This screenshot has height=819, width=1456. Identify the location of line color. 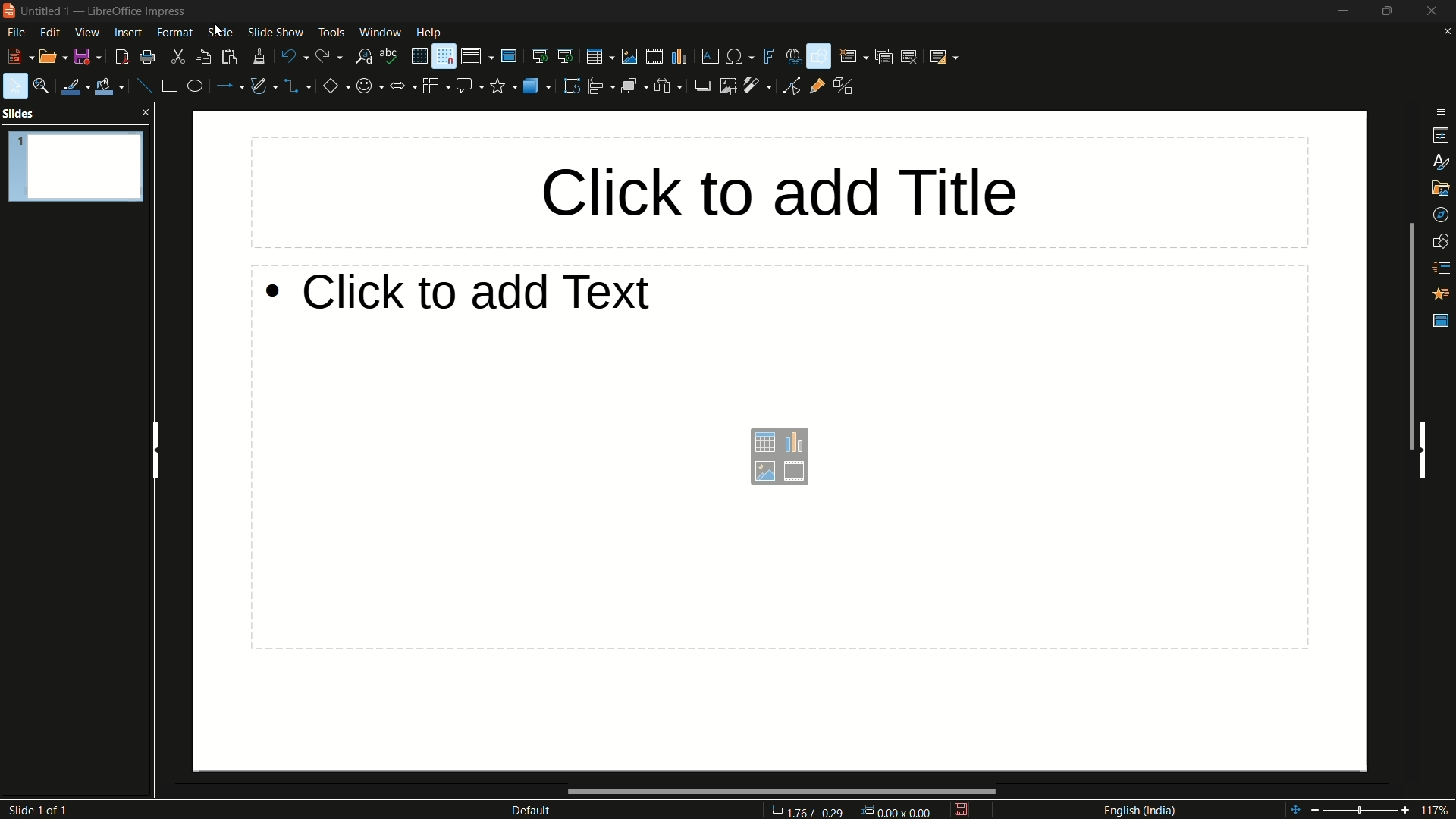
(74, 88).